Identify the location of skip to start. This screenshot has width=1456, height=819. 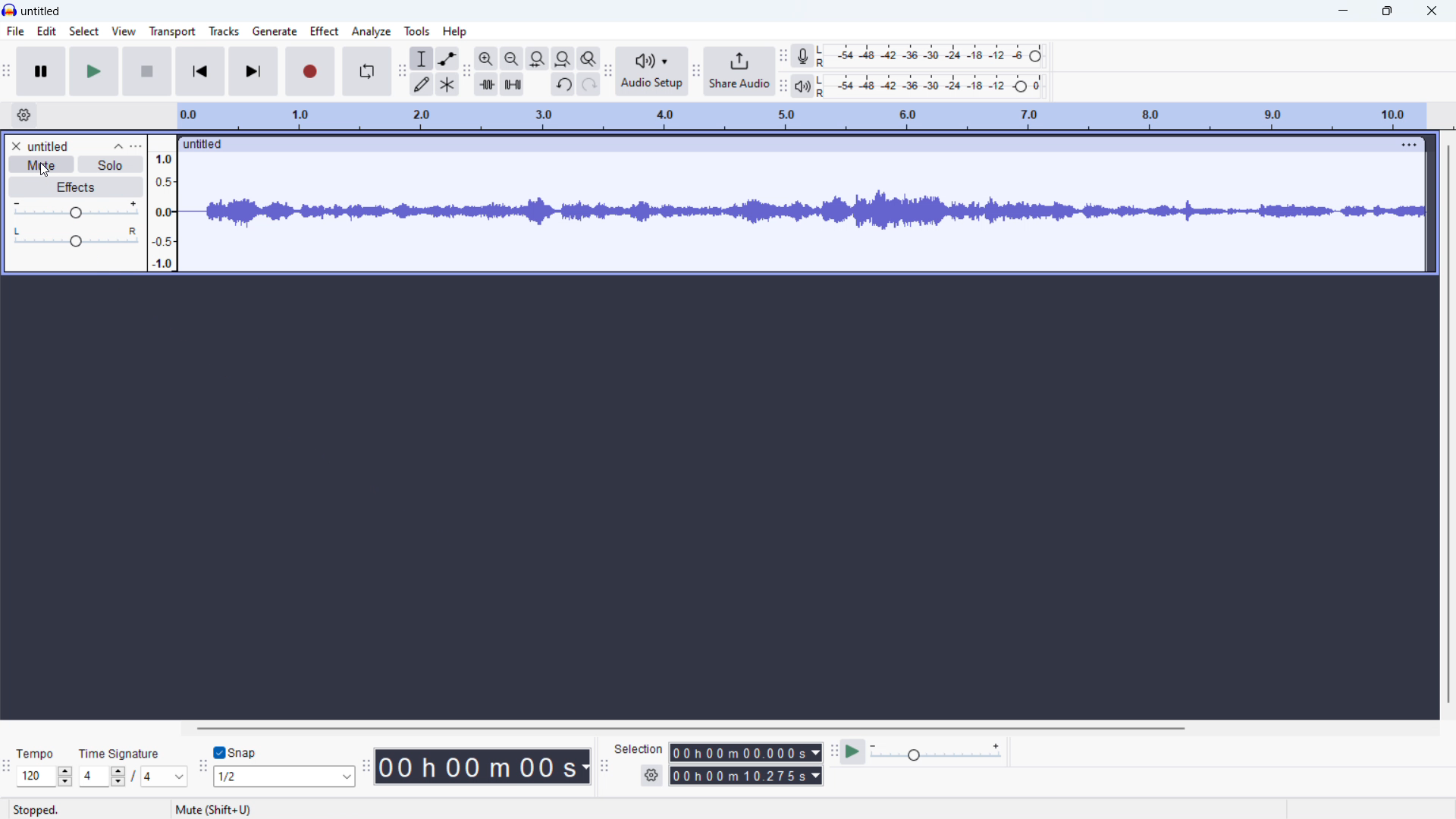
(200, 71).